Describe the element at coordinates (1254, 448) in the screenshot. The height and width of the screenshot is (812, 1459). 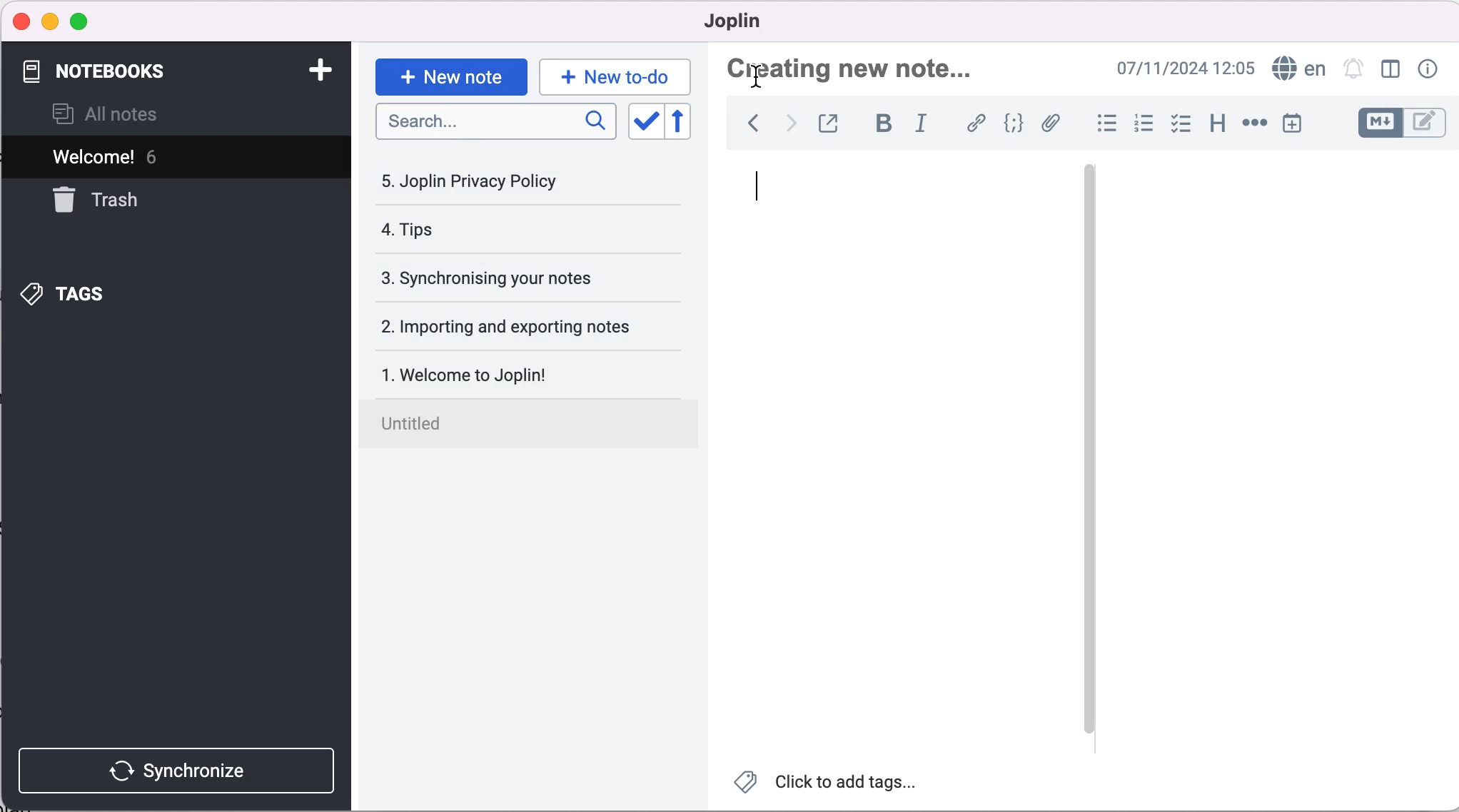
I see `` at that location.